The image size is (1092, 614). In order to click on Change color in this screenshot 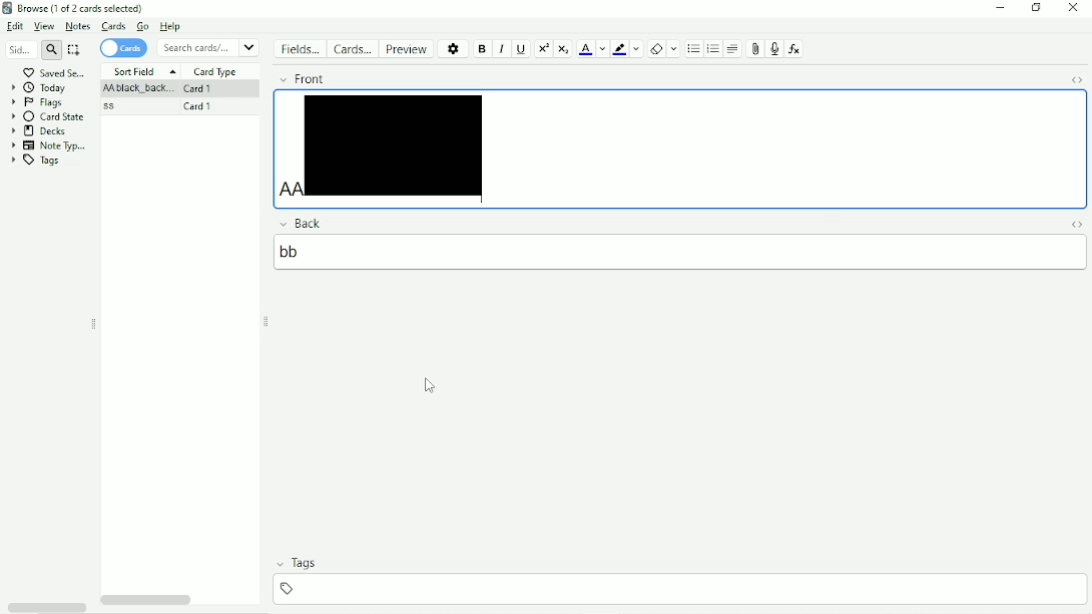, I will do `click(636, 49)`.